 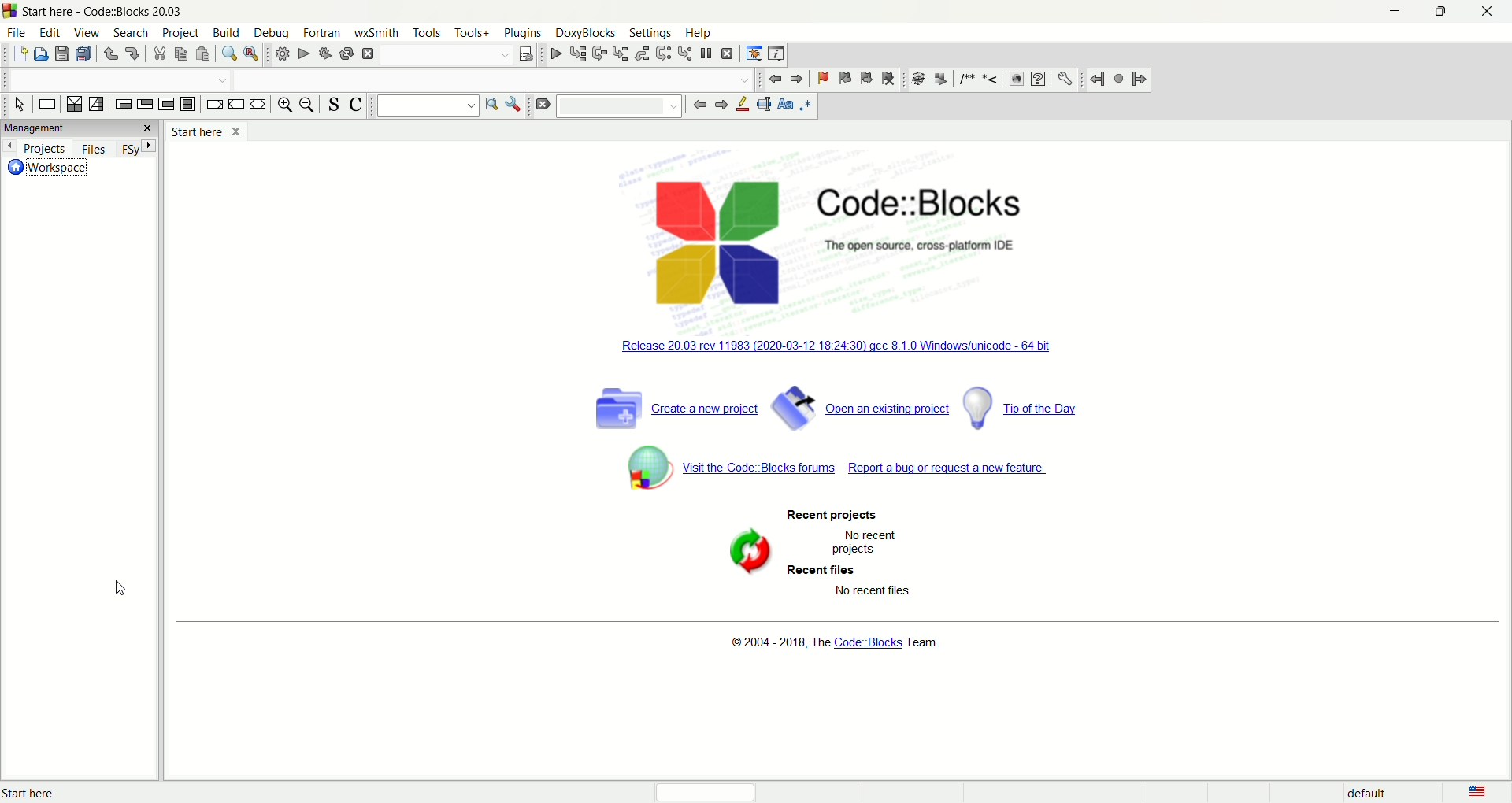 I want to click on windows unicode, so click(x=840, y=347).